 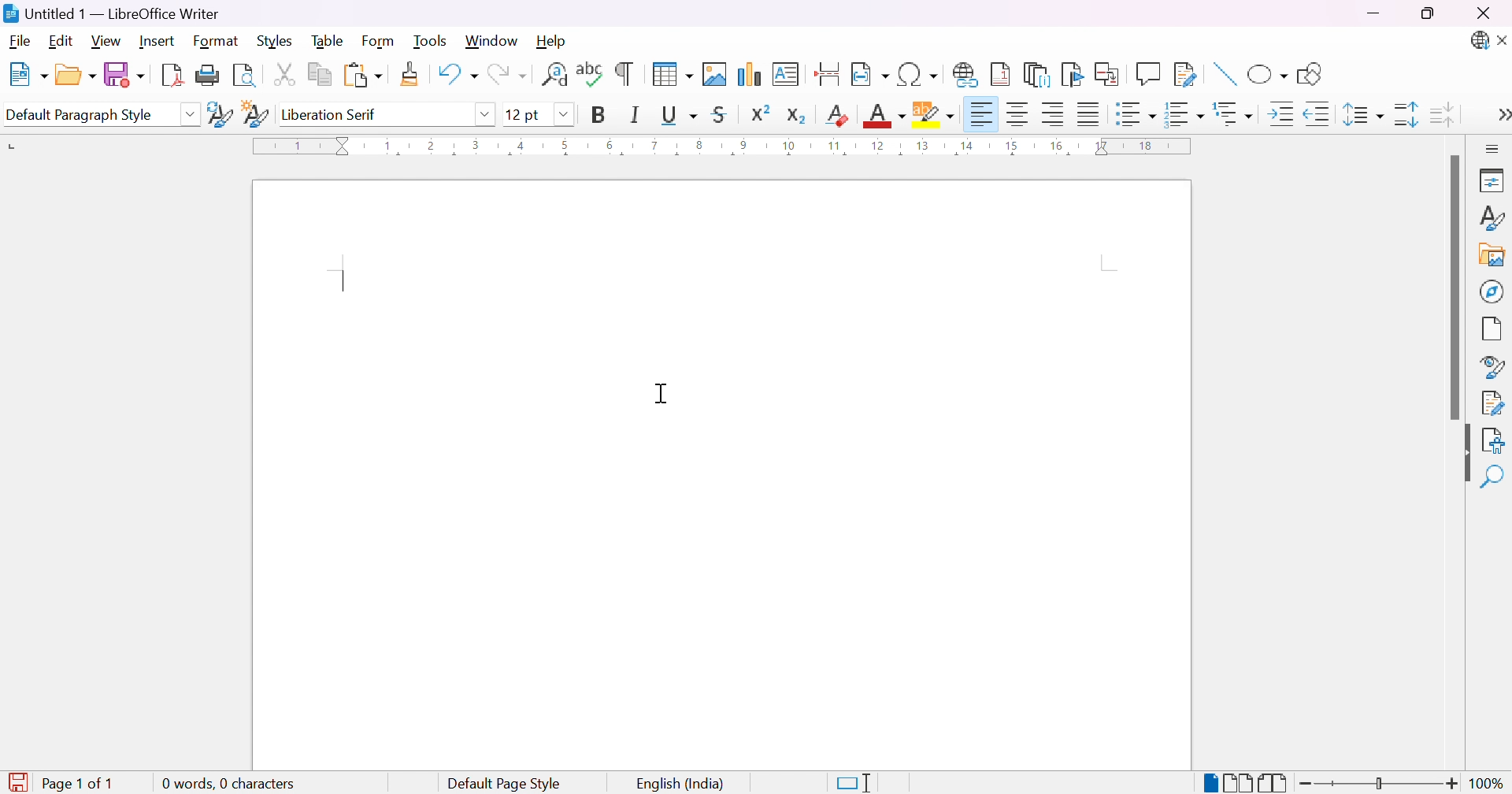 What do you see at coordinates (1318, 117) in the screenshot?
I see `Decrease indent` at bounding box center [1318, 117].